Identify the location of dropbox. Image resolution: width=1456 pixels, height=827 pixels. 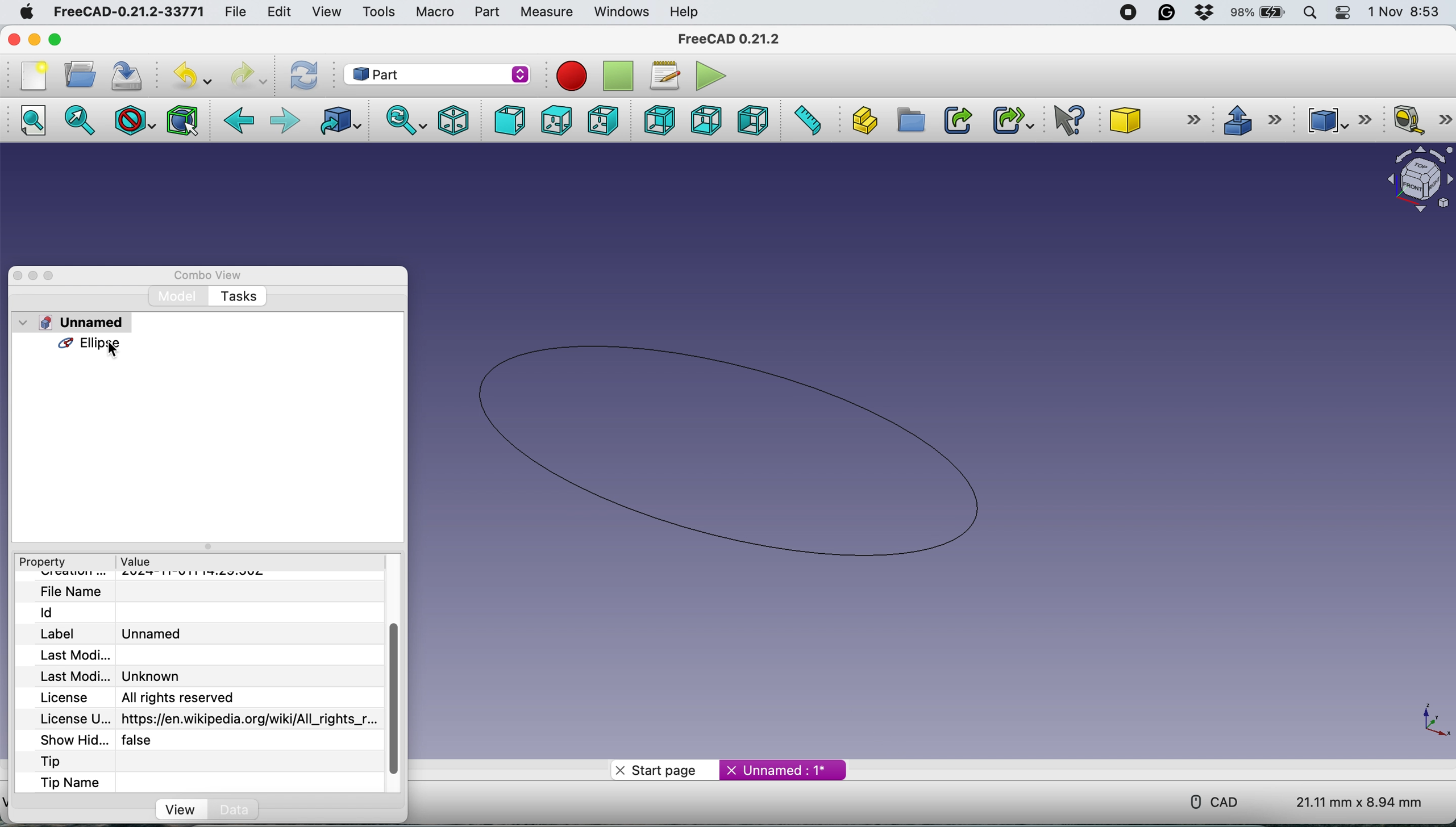
(1205, 13).